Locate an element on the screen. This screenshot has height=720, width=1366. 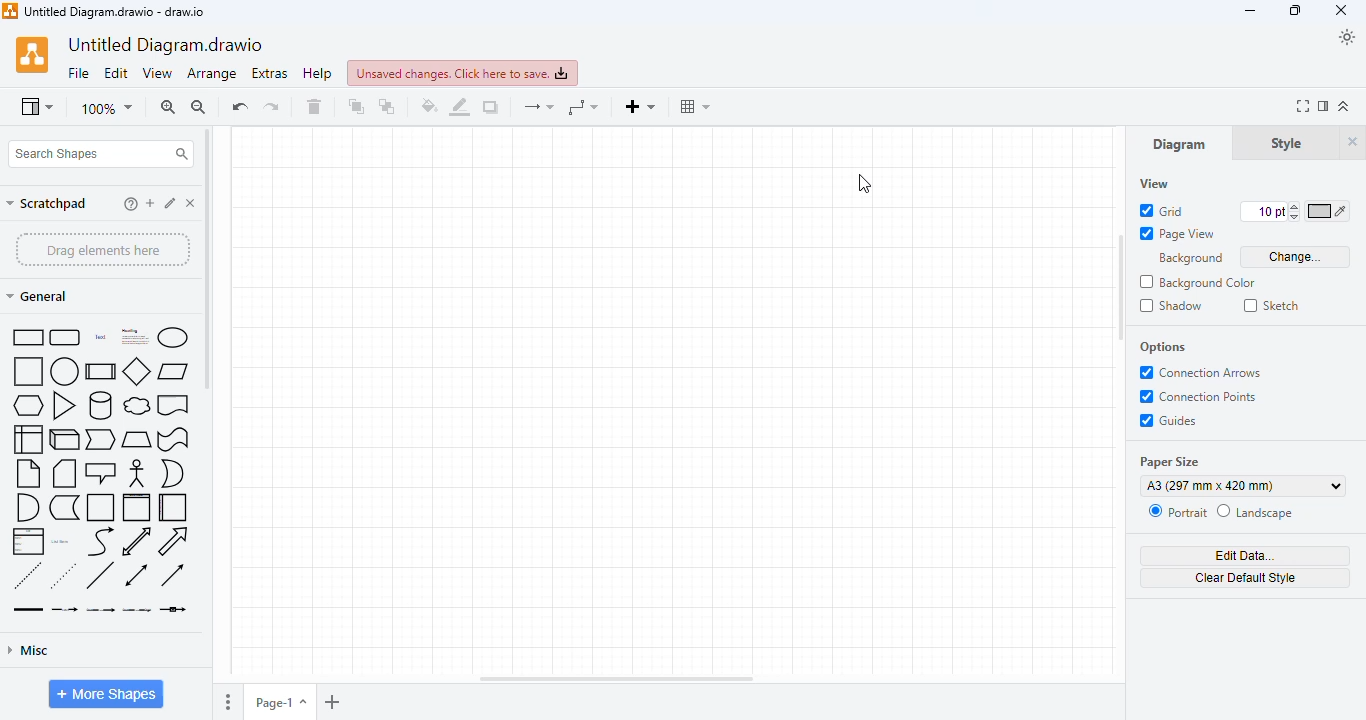
dotted line is located at coordinates (63, 575).